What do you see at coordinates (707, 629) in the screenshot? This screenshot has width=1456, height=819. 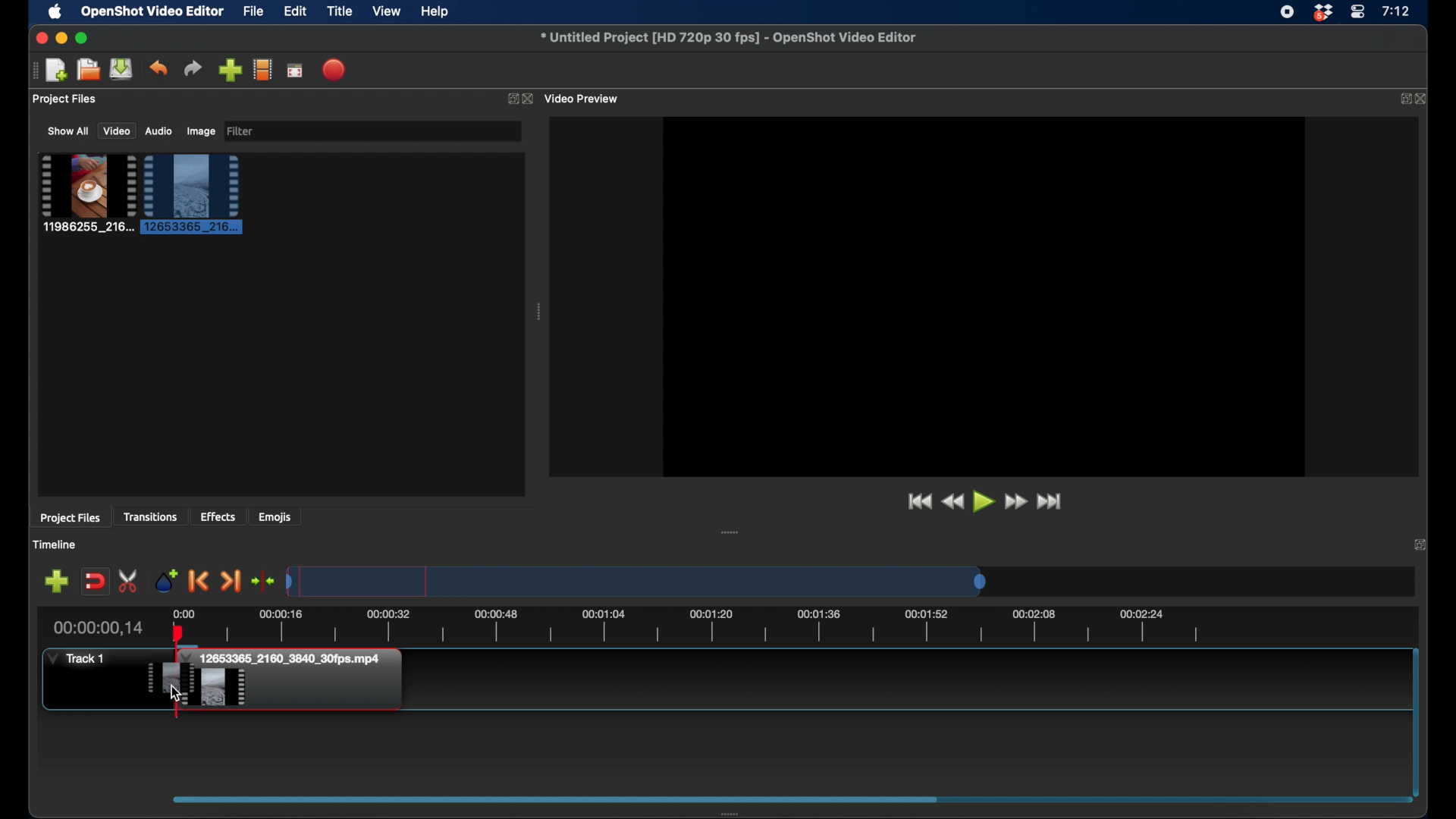 I see `timeline` at bounding box center [707, 629].